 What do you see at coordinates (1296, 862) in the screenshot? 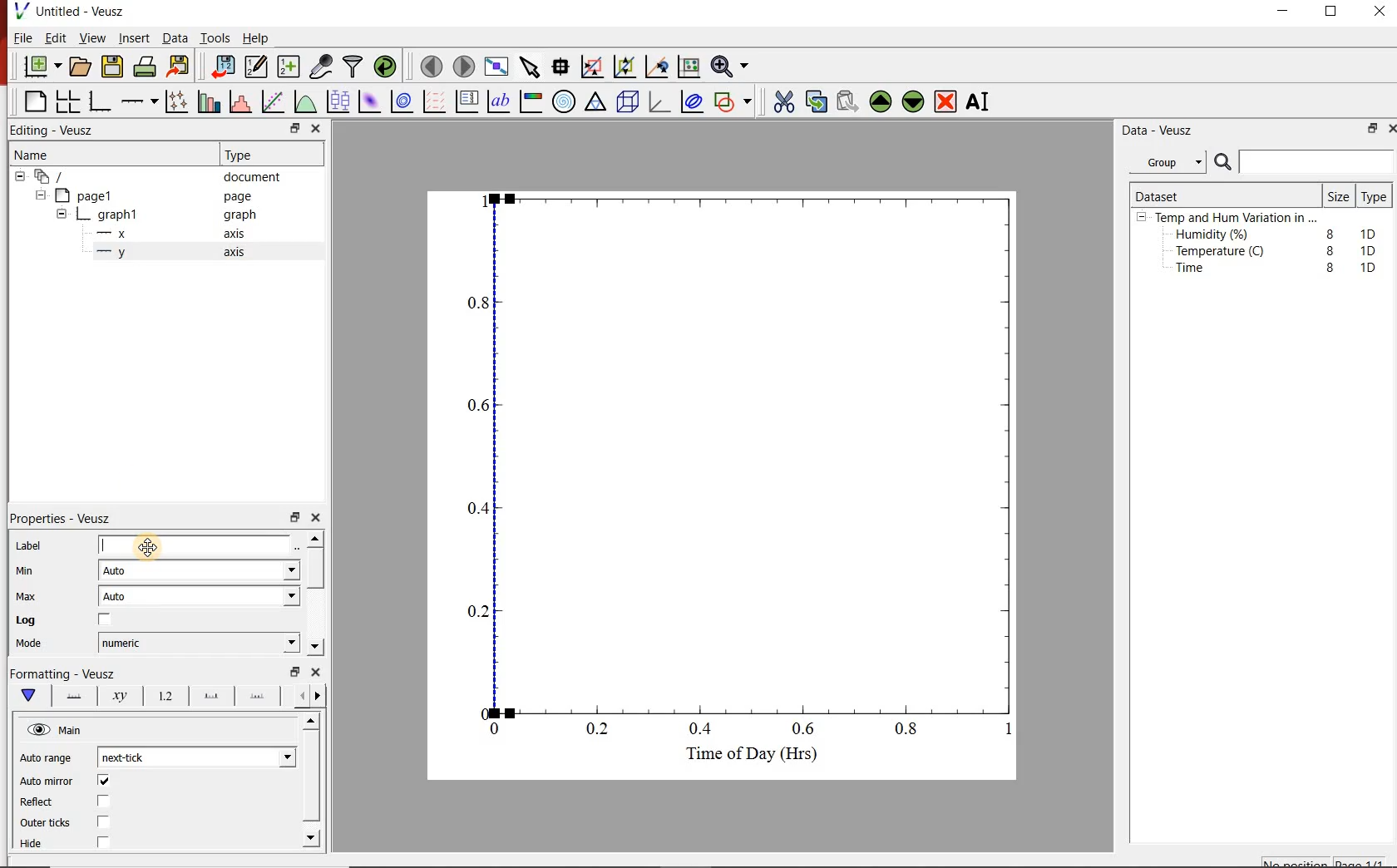
I see `No position` at bounding box center [1296, 862].